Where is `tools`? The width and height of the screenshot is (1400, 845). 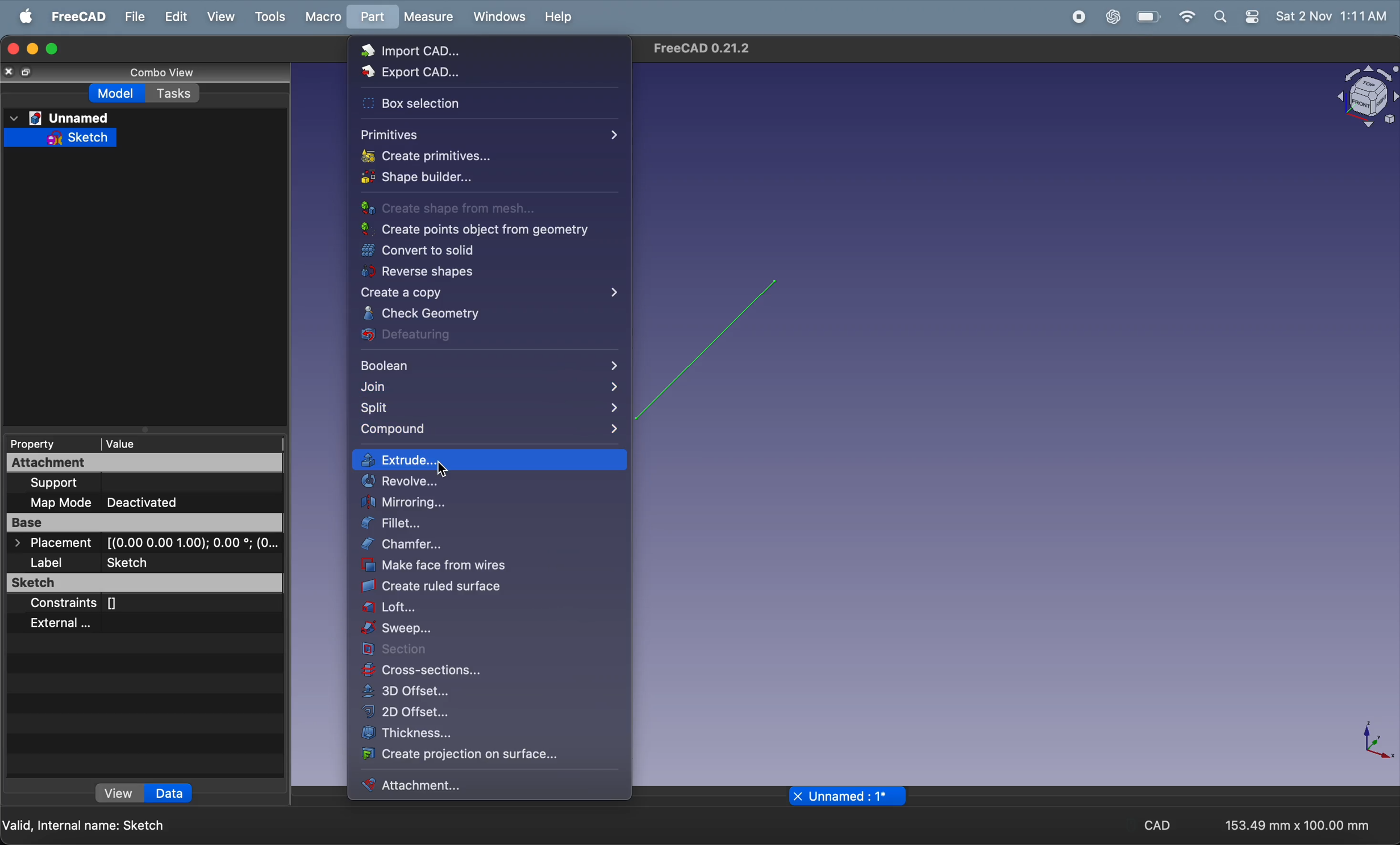 tools is located at coordinates (267, 18).